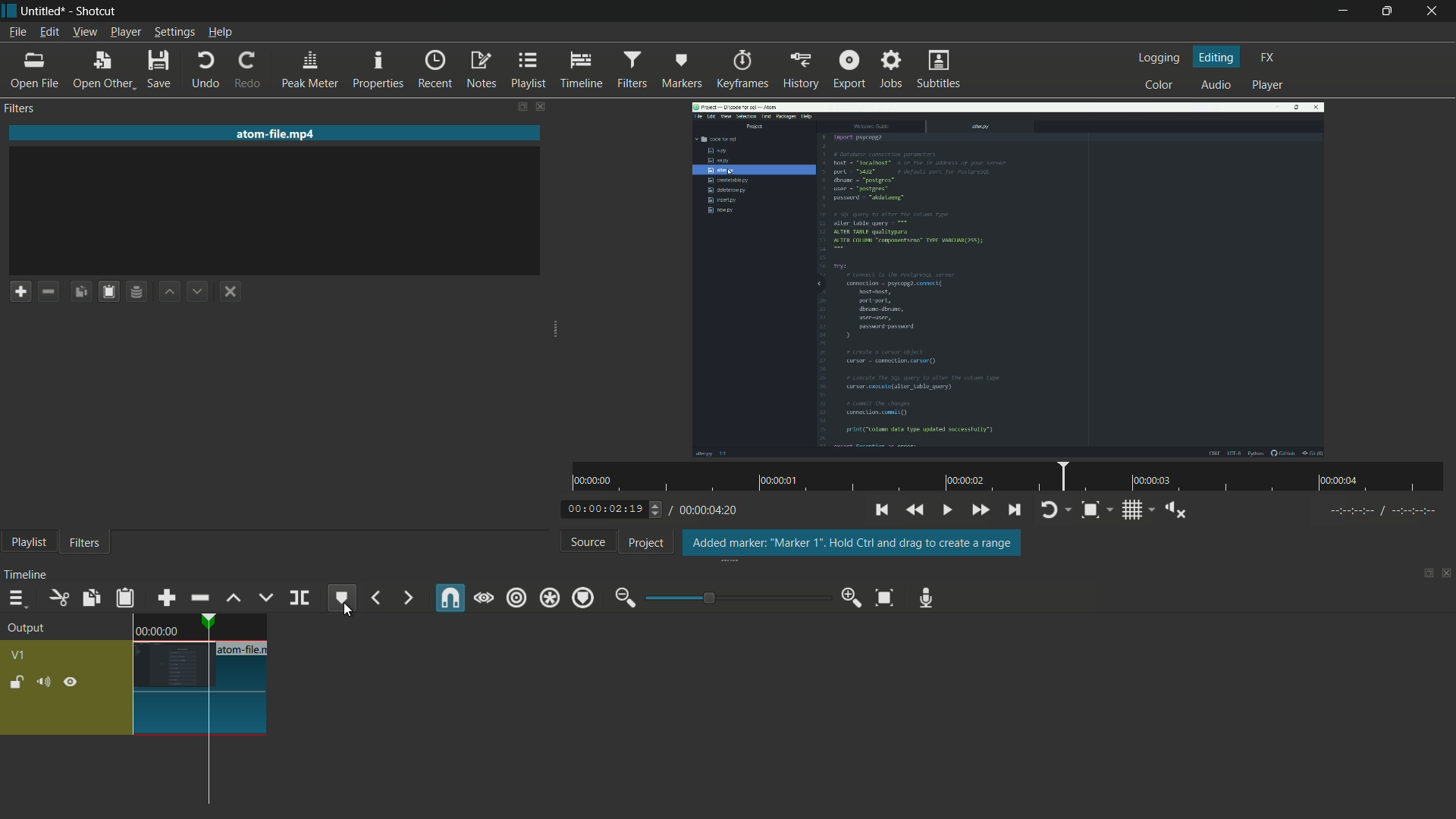 This screenshot has width=1456, height=819. Describe the element at coordinates (629, 70) in the screenshot. I see `filters` at that location.